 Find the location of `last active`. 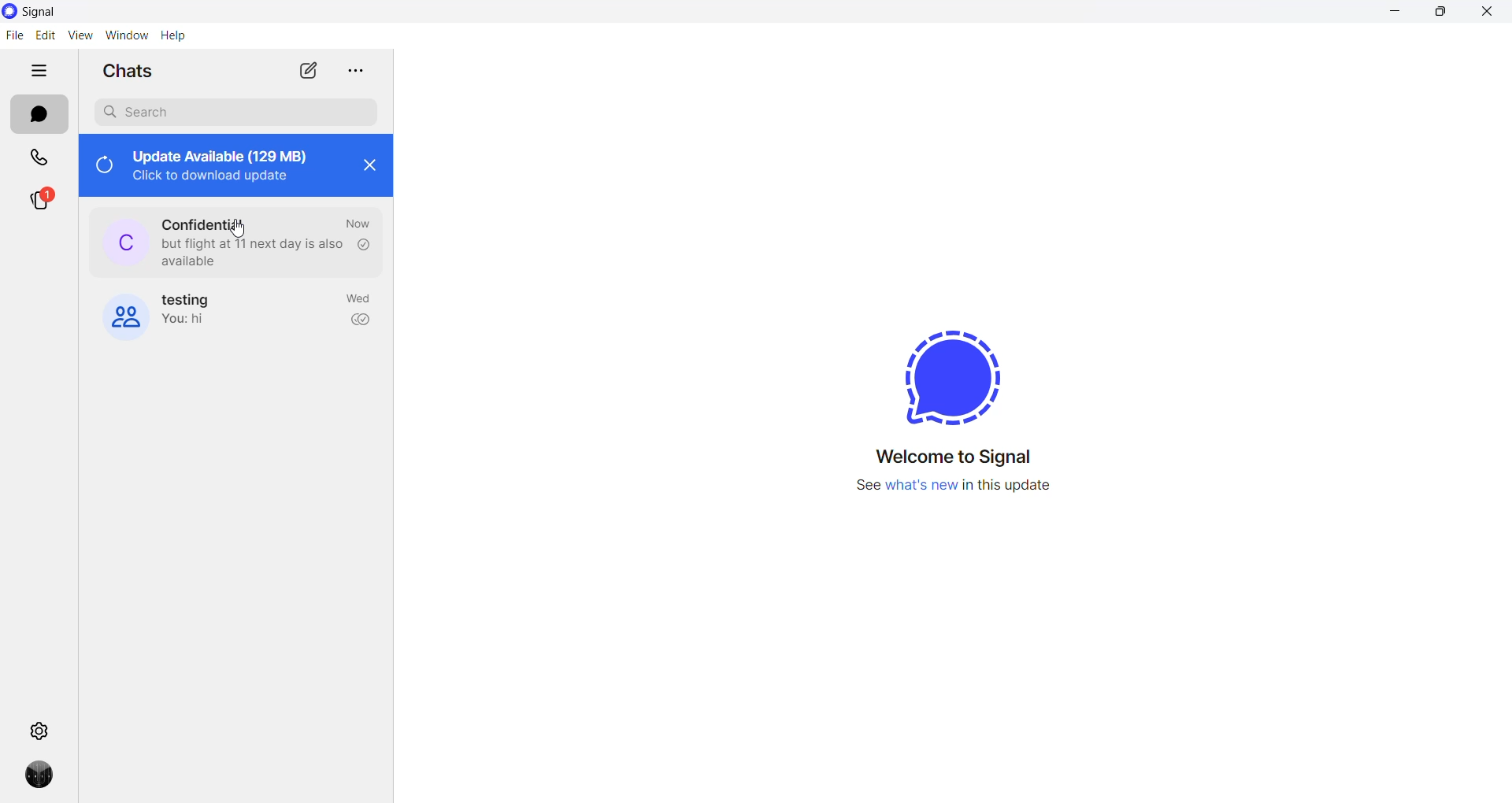

last active is located at coordinates (360, 301).